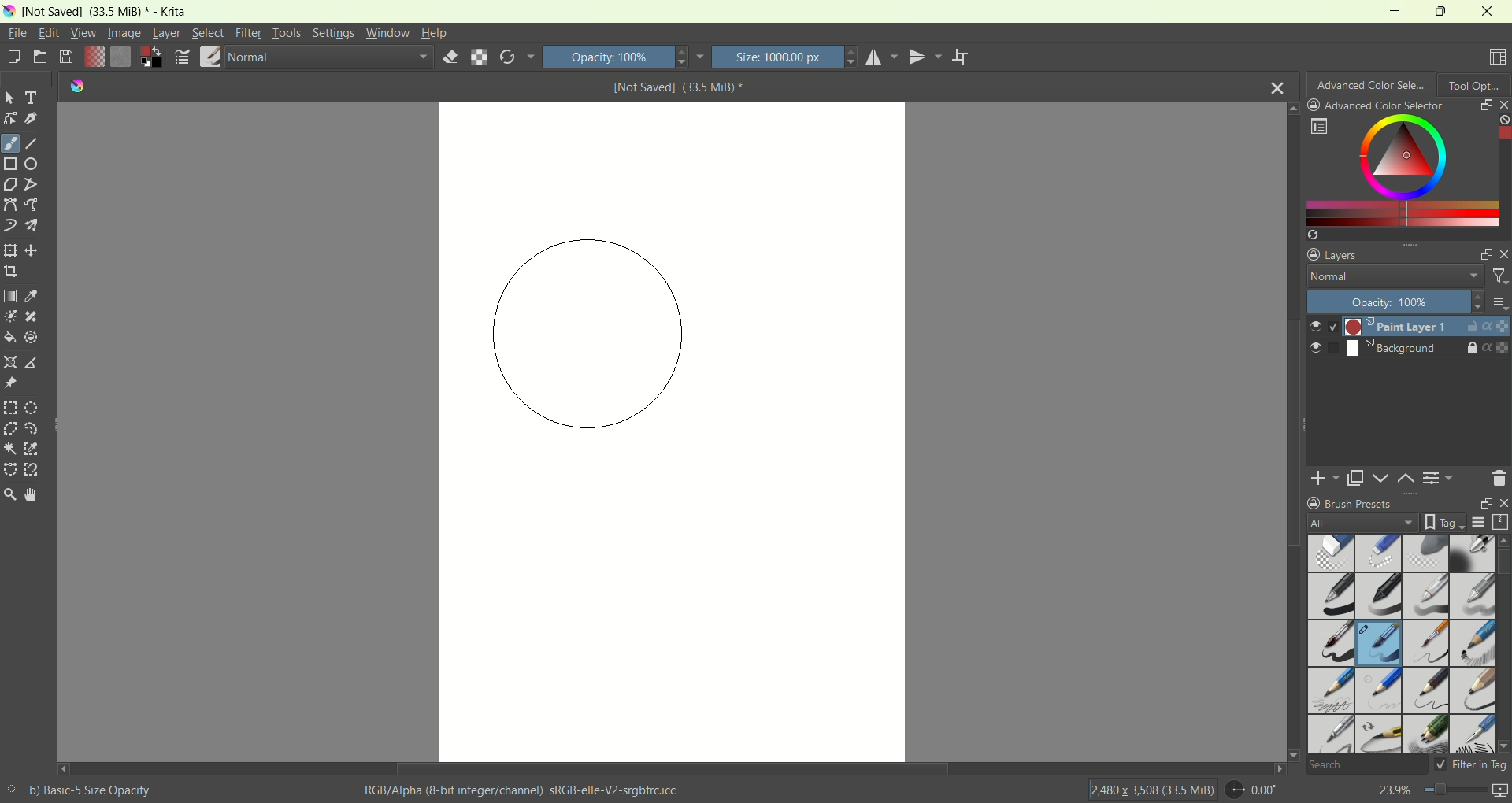 The height and width of the screenshot is (803, 1512). What do you see at coordinates (1503, 253) in the screenshot?
I see `close docker` at bounding box center [1503, 253].